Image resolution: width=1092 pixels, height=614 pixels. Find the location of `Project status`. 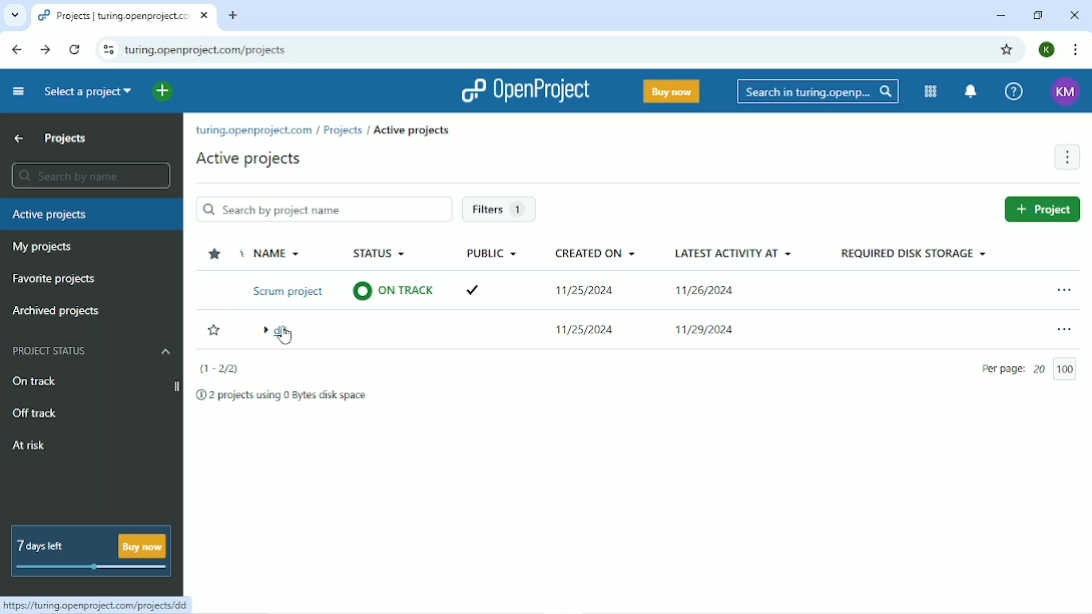

Project status is located at coordinates (61, 351).